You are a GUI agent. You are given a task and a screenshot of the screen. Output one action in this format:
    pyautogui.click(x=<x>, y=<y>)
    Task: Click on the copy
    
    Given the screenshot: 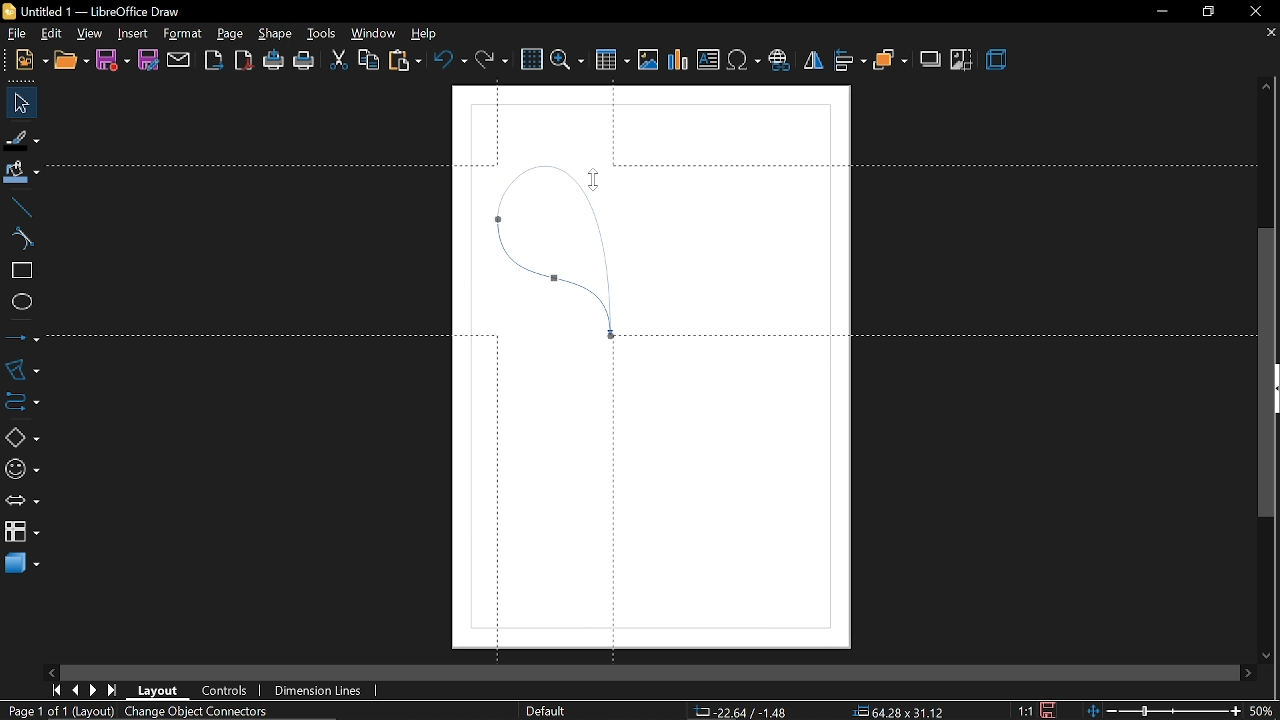 What is the action you would take?
    pyautogui.click(x=367, y=62)
    